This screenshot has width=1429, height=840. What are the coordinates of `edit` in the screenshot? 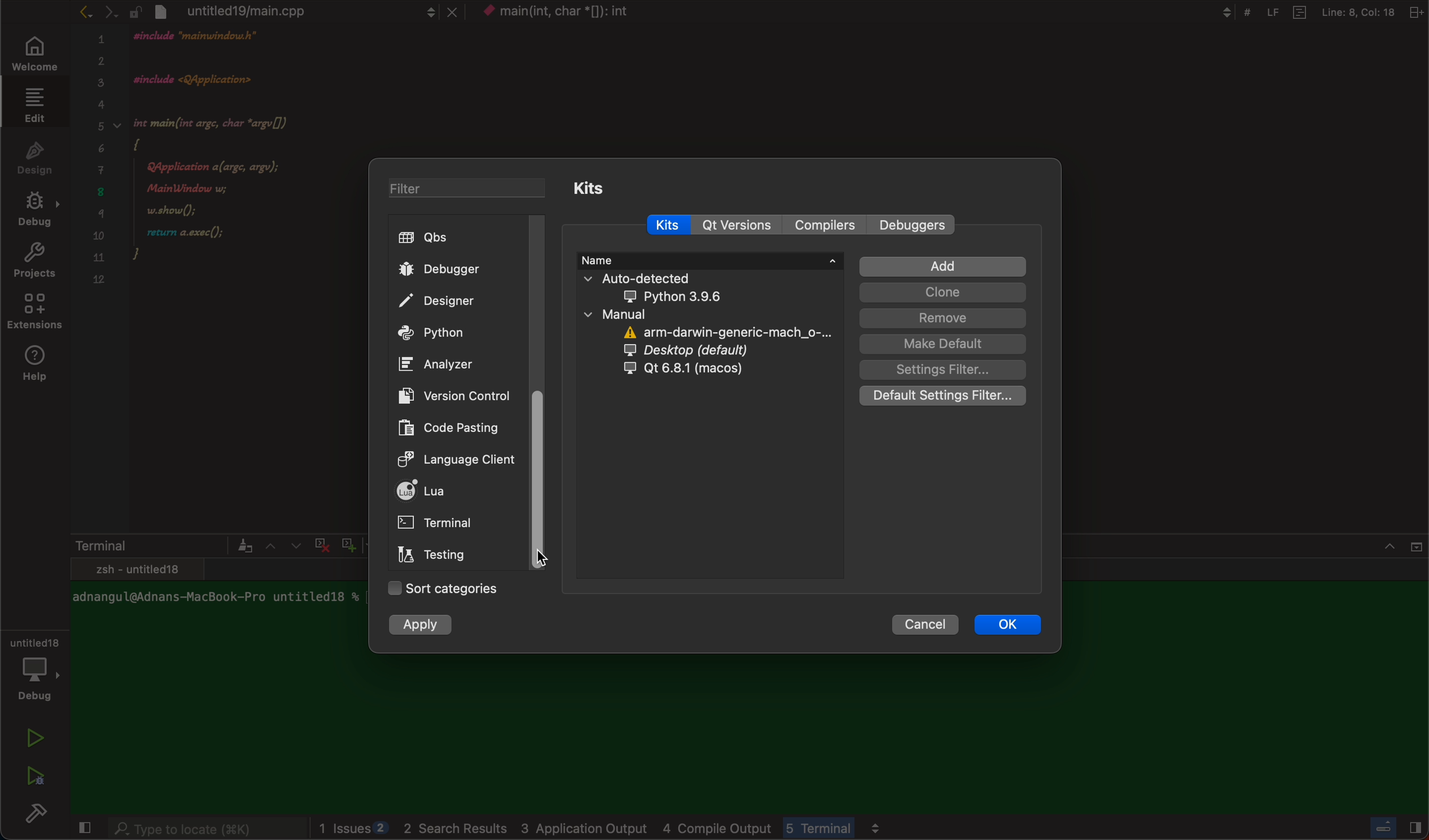 It's located at (32, 104).